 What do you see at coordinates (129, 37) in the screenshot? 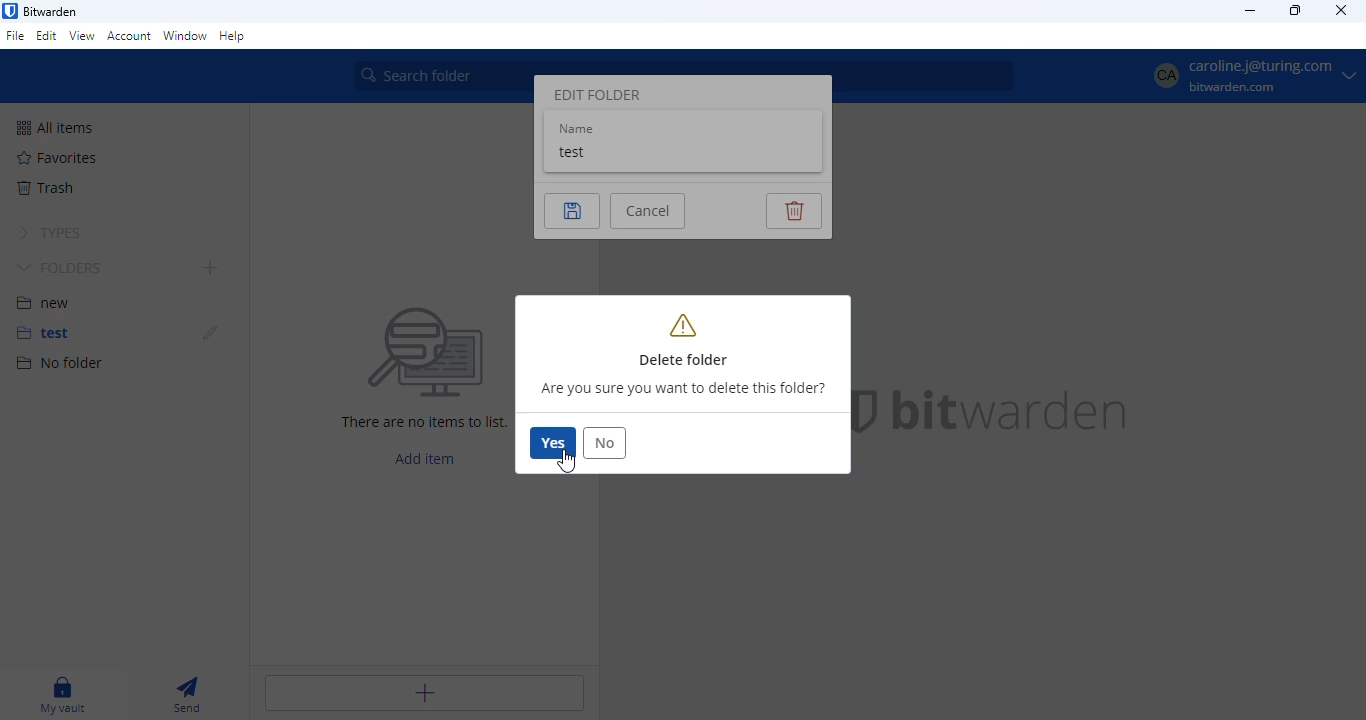
I see `account` at bounding box center [129, 37].